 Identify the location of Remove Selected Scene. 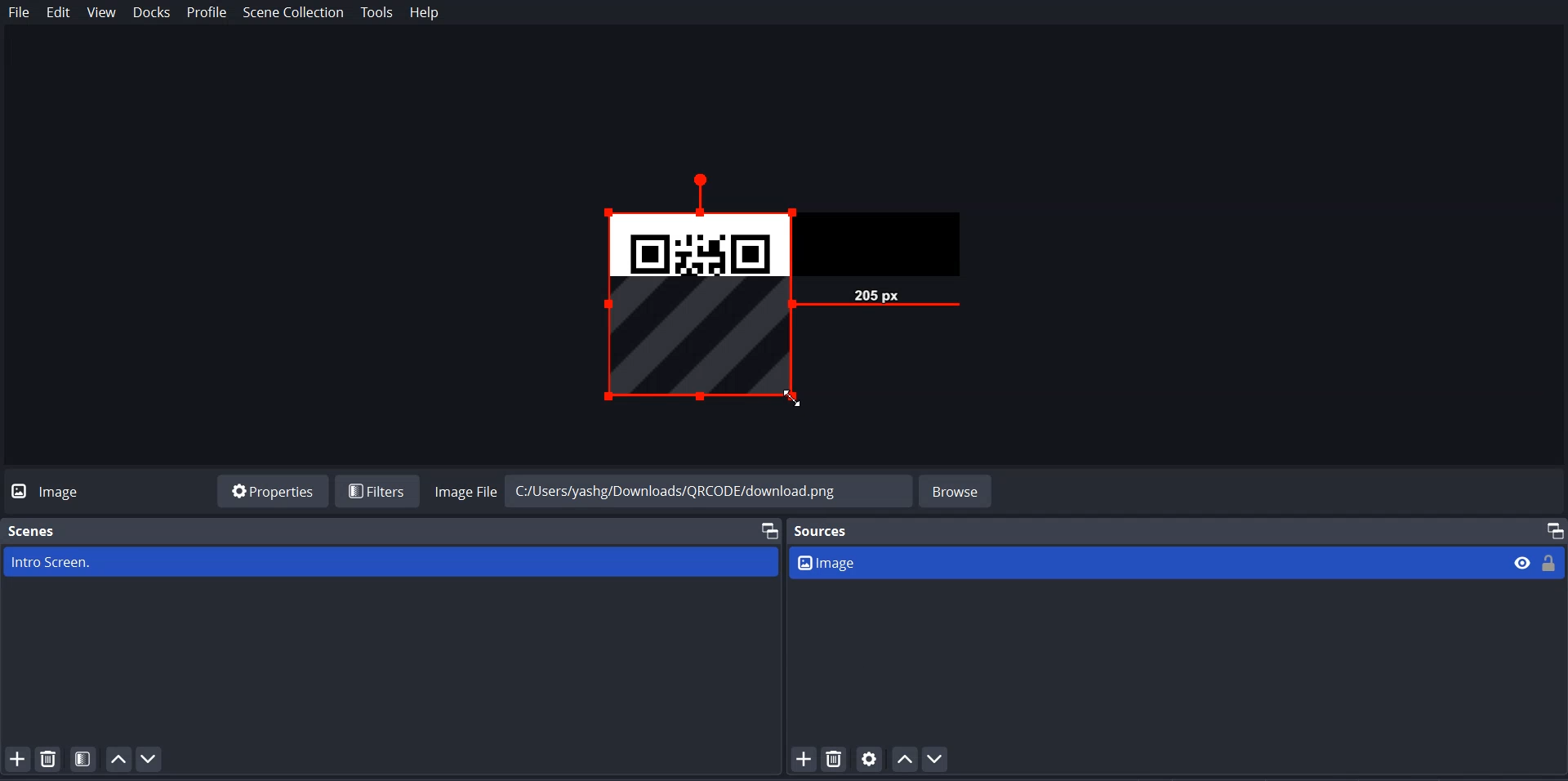
(51, 759).